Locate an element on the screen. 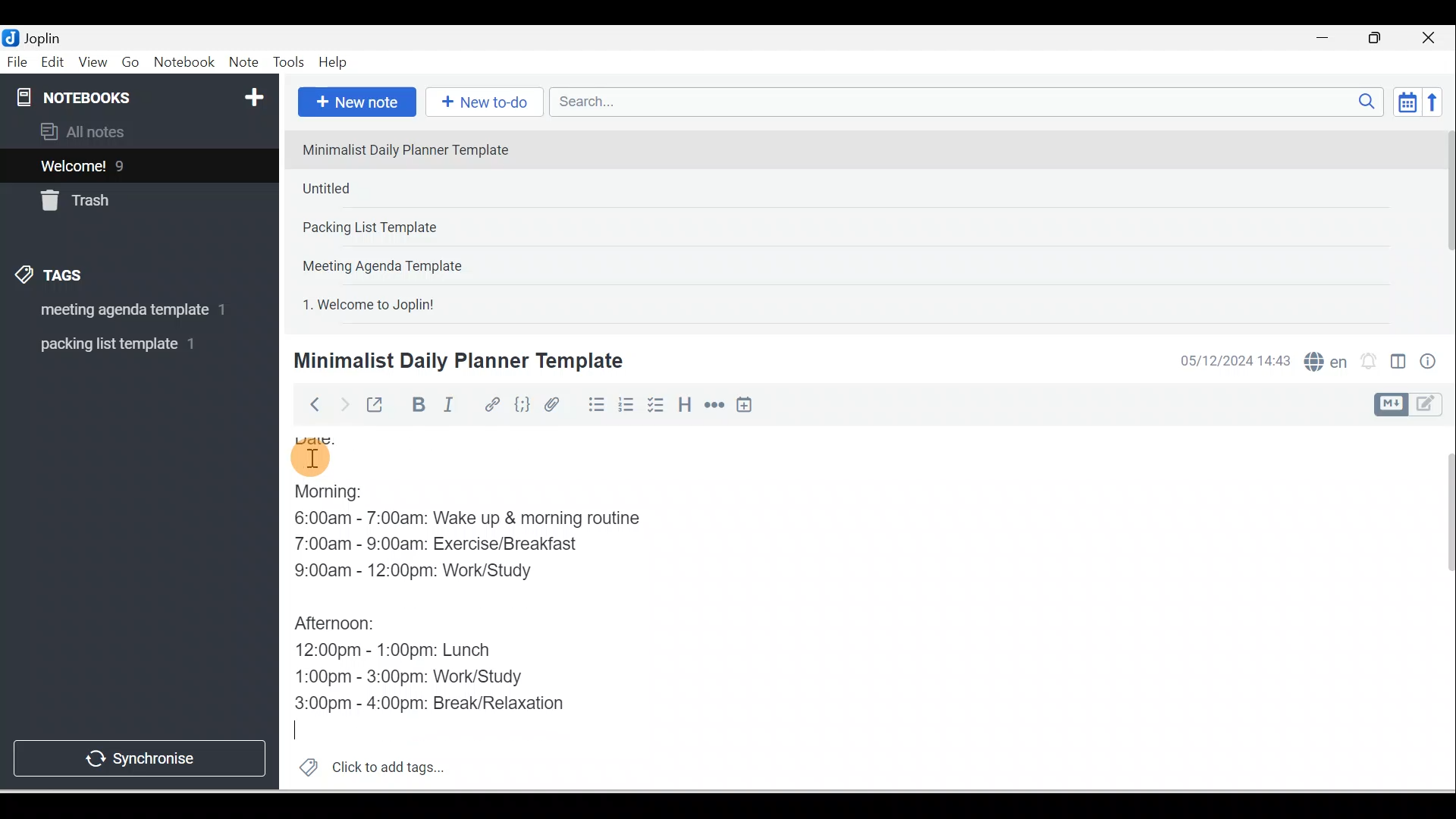 The image size is (1456, 819). Tag 1 is located at coordinates (119, 311).